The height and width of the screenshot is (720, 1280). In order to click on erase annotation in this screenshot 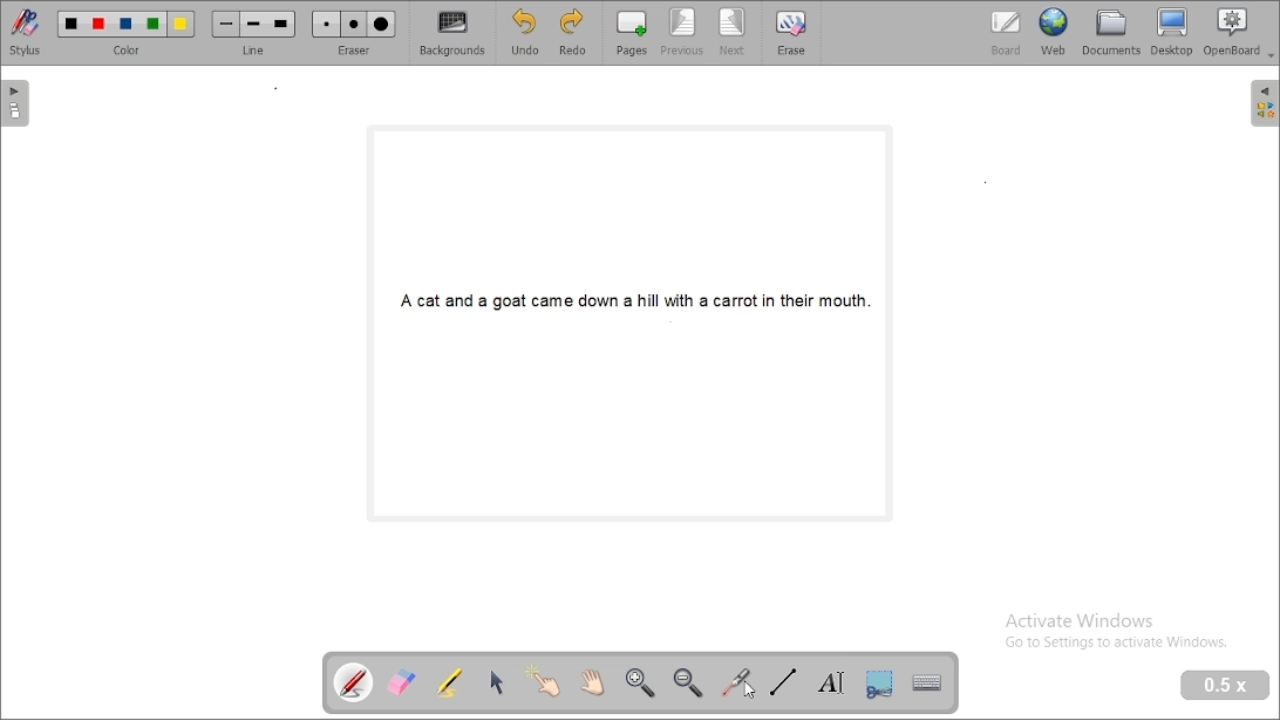, I will do `click(402, 682)`.